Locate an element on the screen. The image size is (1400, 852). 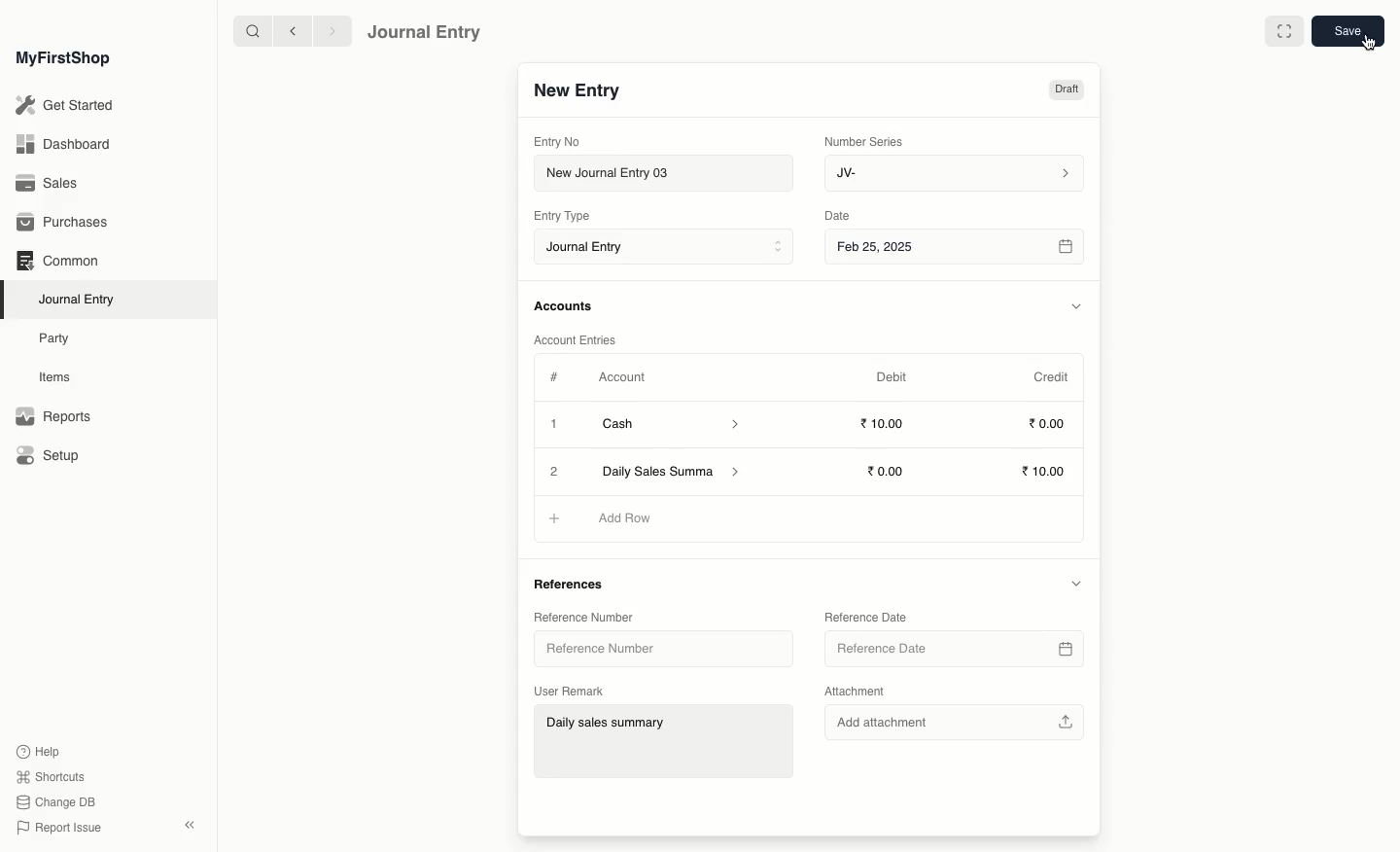
Help is located at coordinates (36, 750).